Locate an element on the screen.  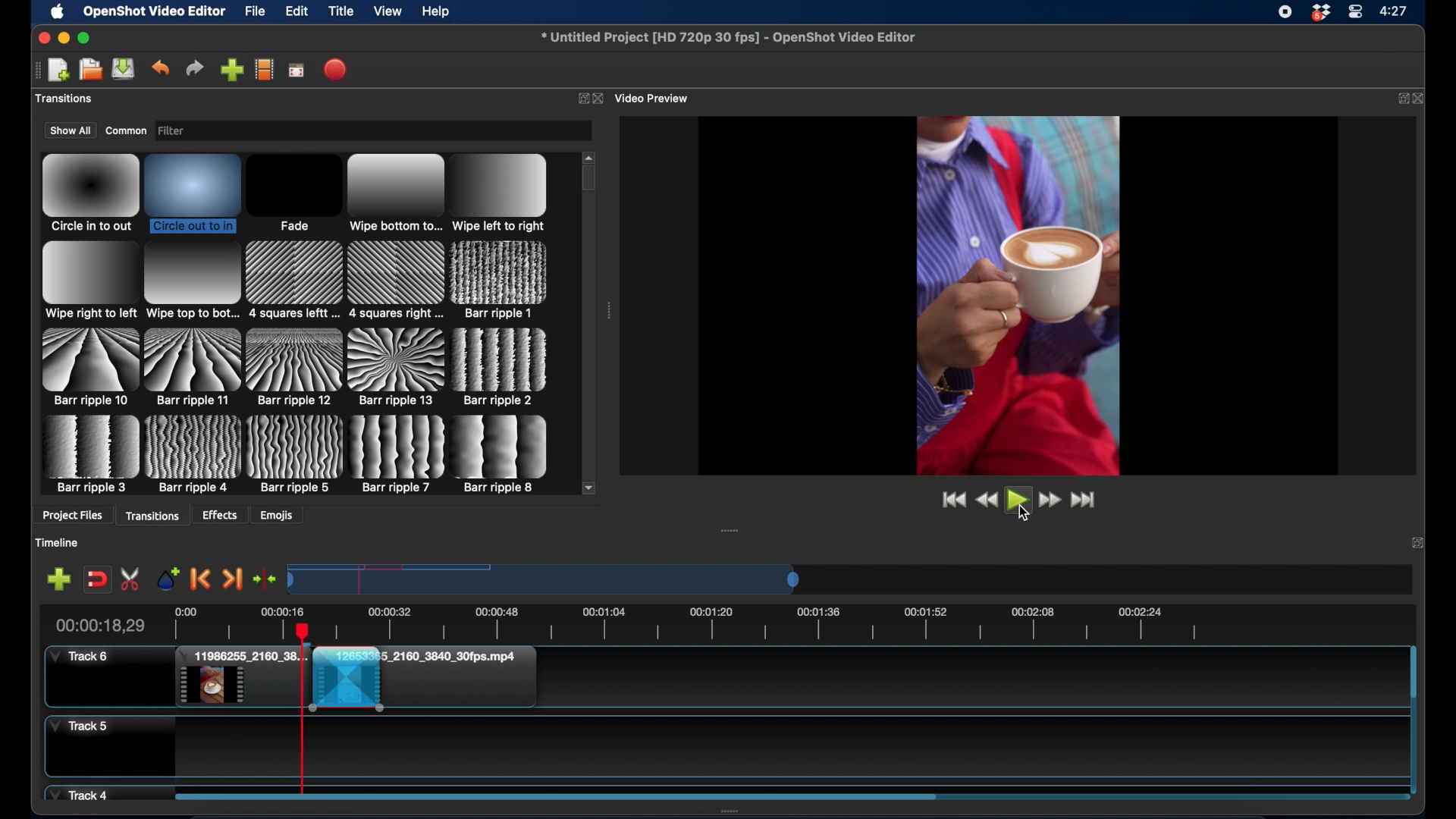
scroll bar is located at coordinates (555, 795).